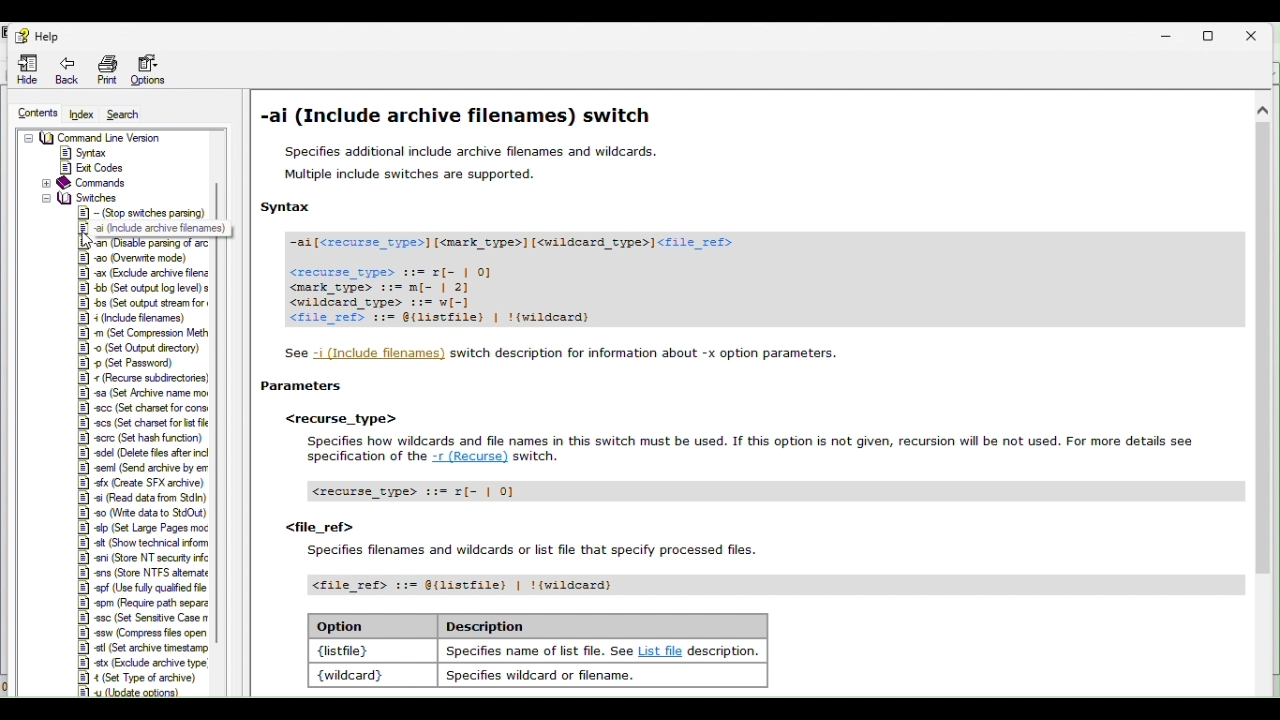 Image resolution: width=1280 pixels, height=720 pixels. What do you see at coordinates (144, 422) in the screenshot?
I see `set charset for list` at bounding box center [144, 422].